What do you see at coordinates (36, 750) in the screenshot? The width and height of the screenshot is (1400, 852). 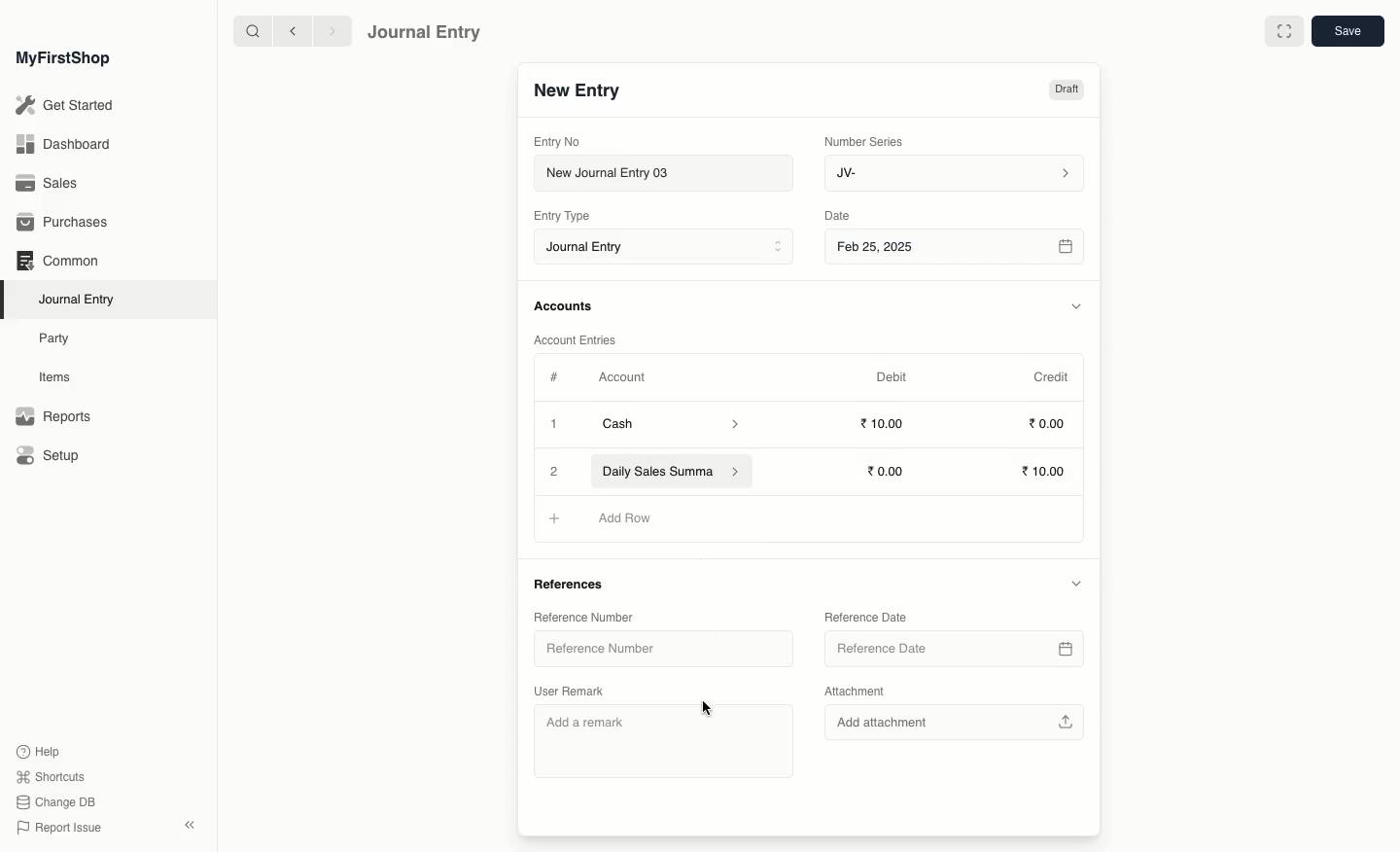 I see `Help` at bounding box center [36, 750].